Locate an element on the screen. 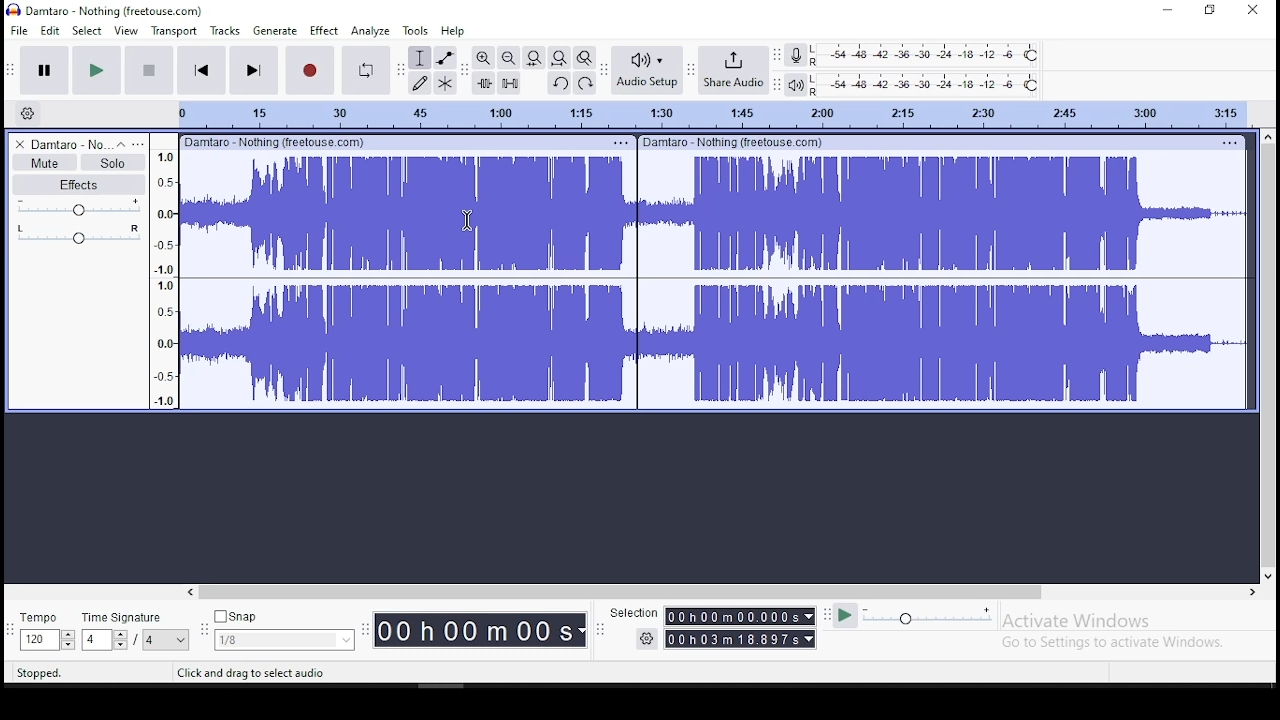  icon and file name is located at coordinates (107, 10).